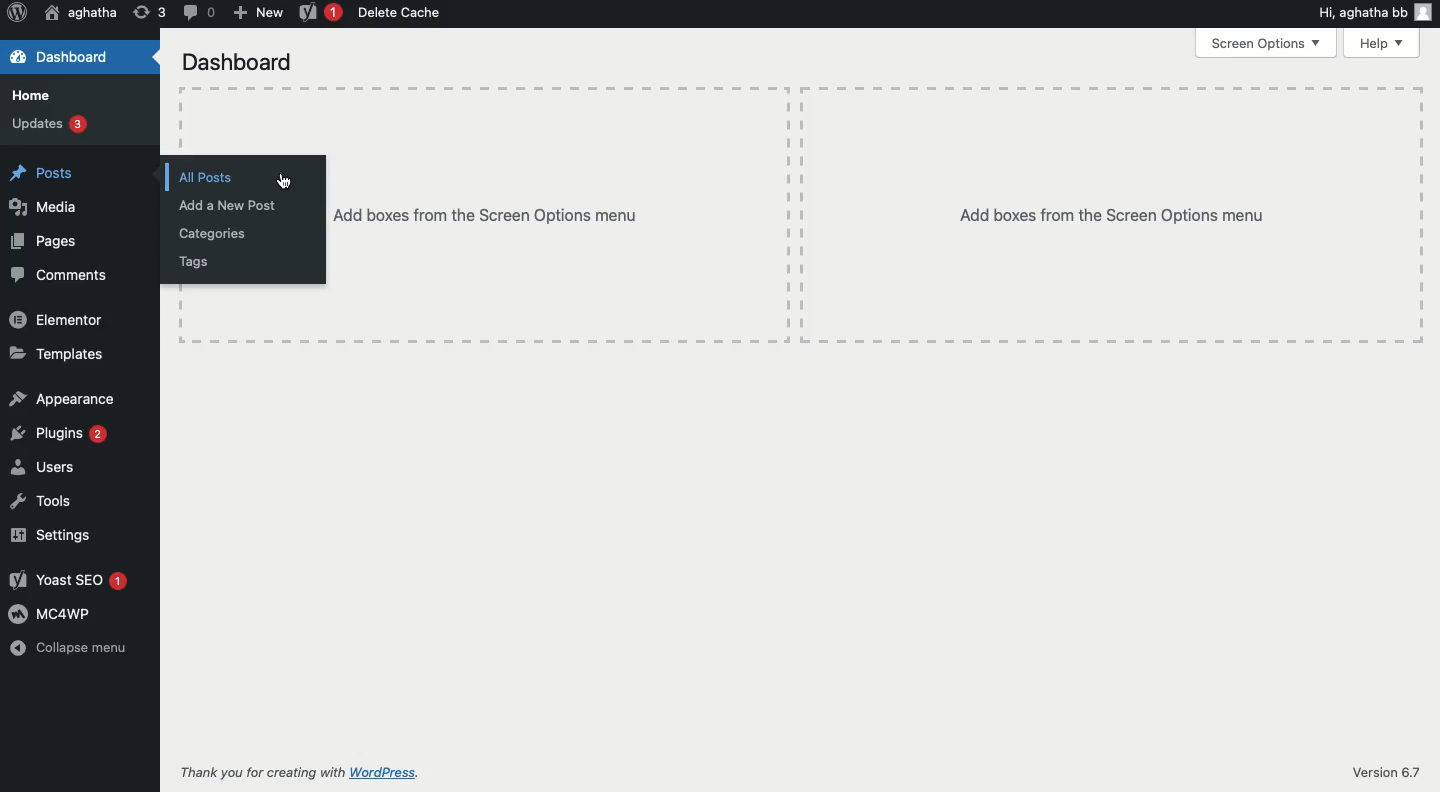 This screenshot has width=1440, height=792. What do you see at coordinates (44, 502) in the screenshot?
I see `Tools` at bounding box center [44, 502].